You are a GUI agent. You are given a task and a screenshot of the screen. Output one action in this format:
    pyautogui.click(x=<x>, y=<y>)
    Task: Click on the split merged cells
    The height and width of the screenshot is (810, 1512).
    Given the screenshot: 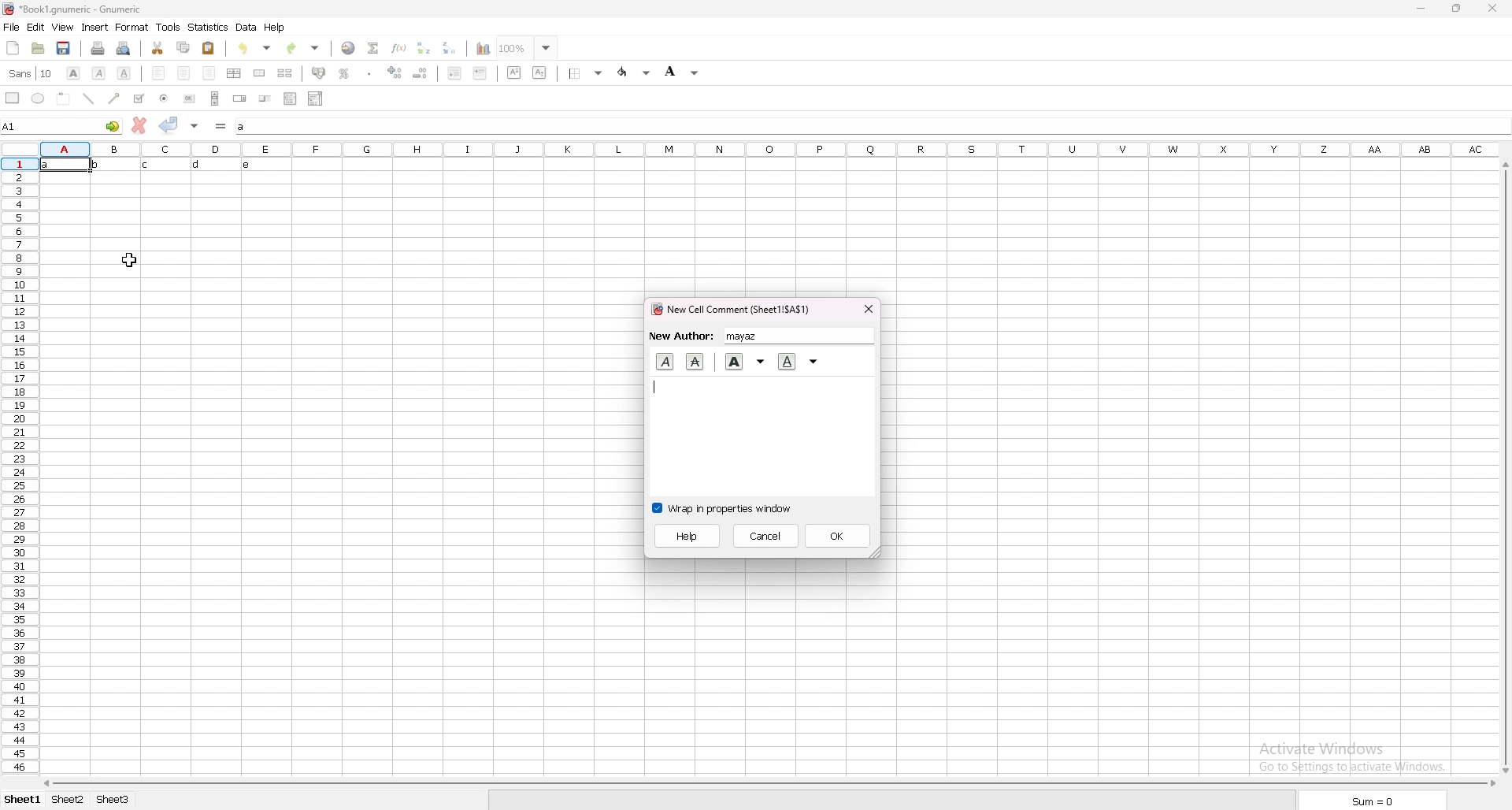 What is the action you would take?
    pyautogui.click(x=285, y=72)
    